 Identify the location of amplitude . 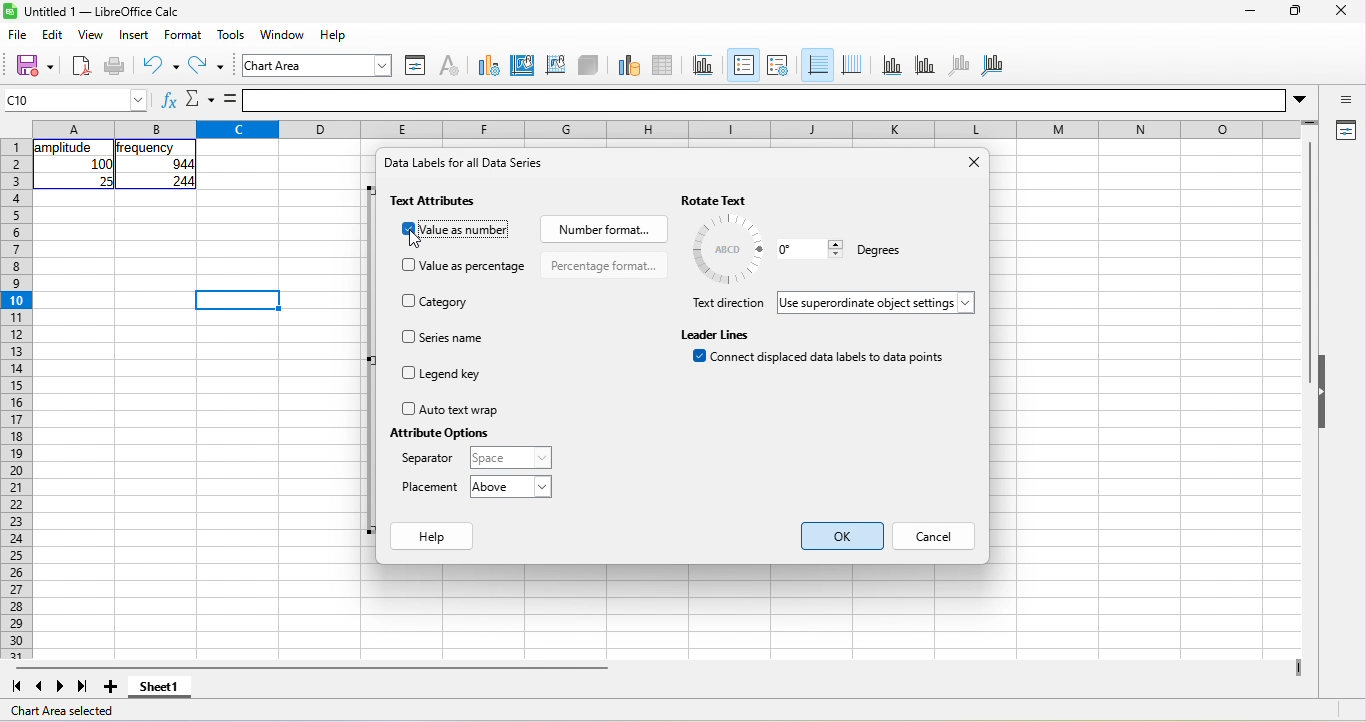
(65, 148).